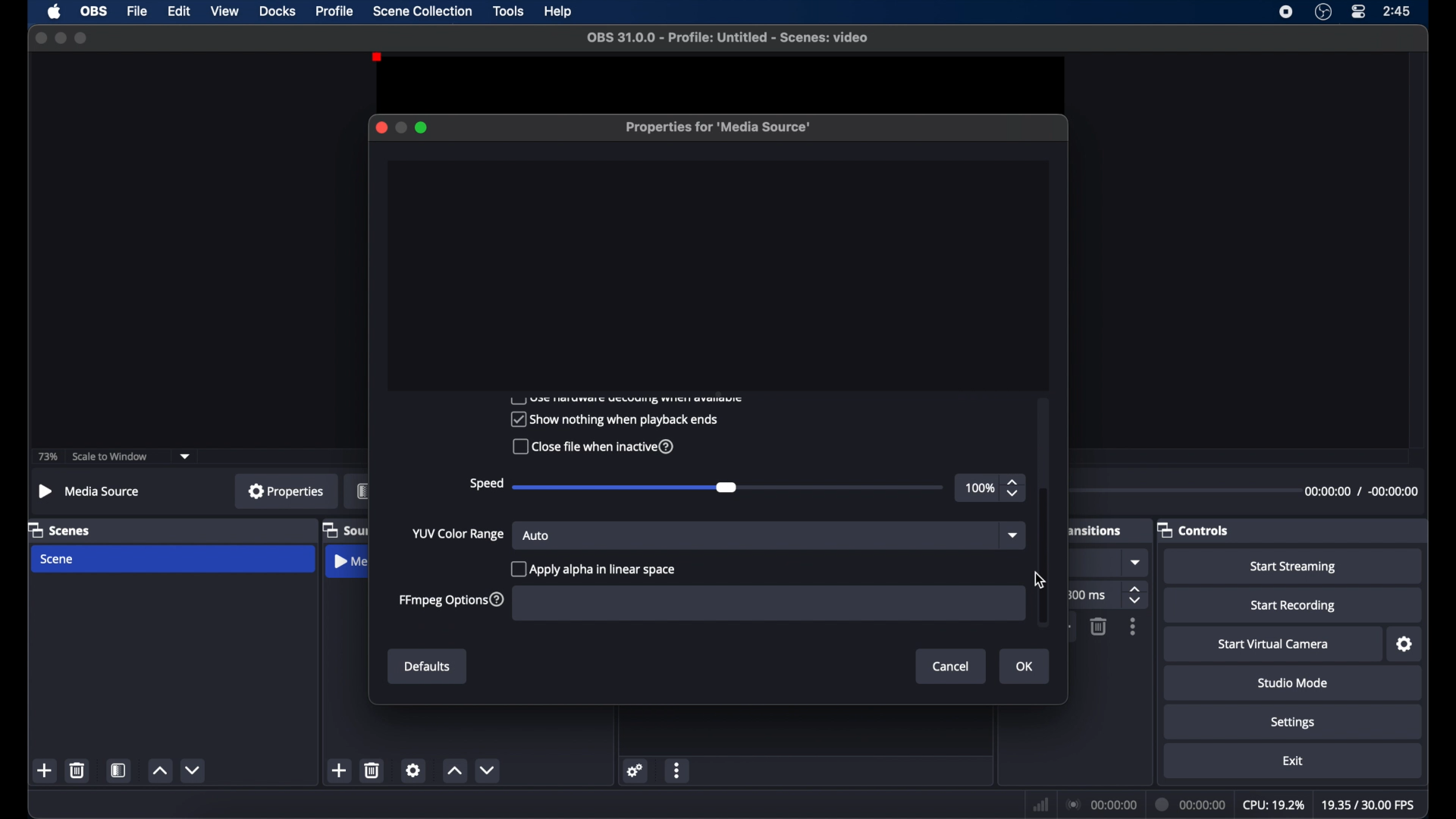 This screenshot has width=1456, height=819. What do you see at coordinates (1294, 606) in the screenshot?
I see `start recording` at bounding box center [1294, 606].